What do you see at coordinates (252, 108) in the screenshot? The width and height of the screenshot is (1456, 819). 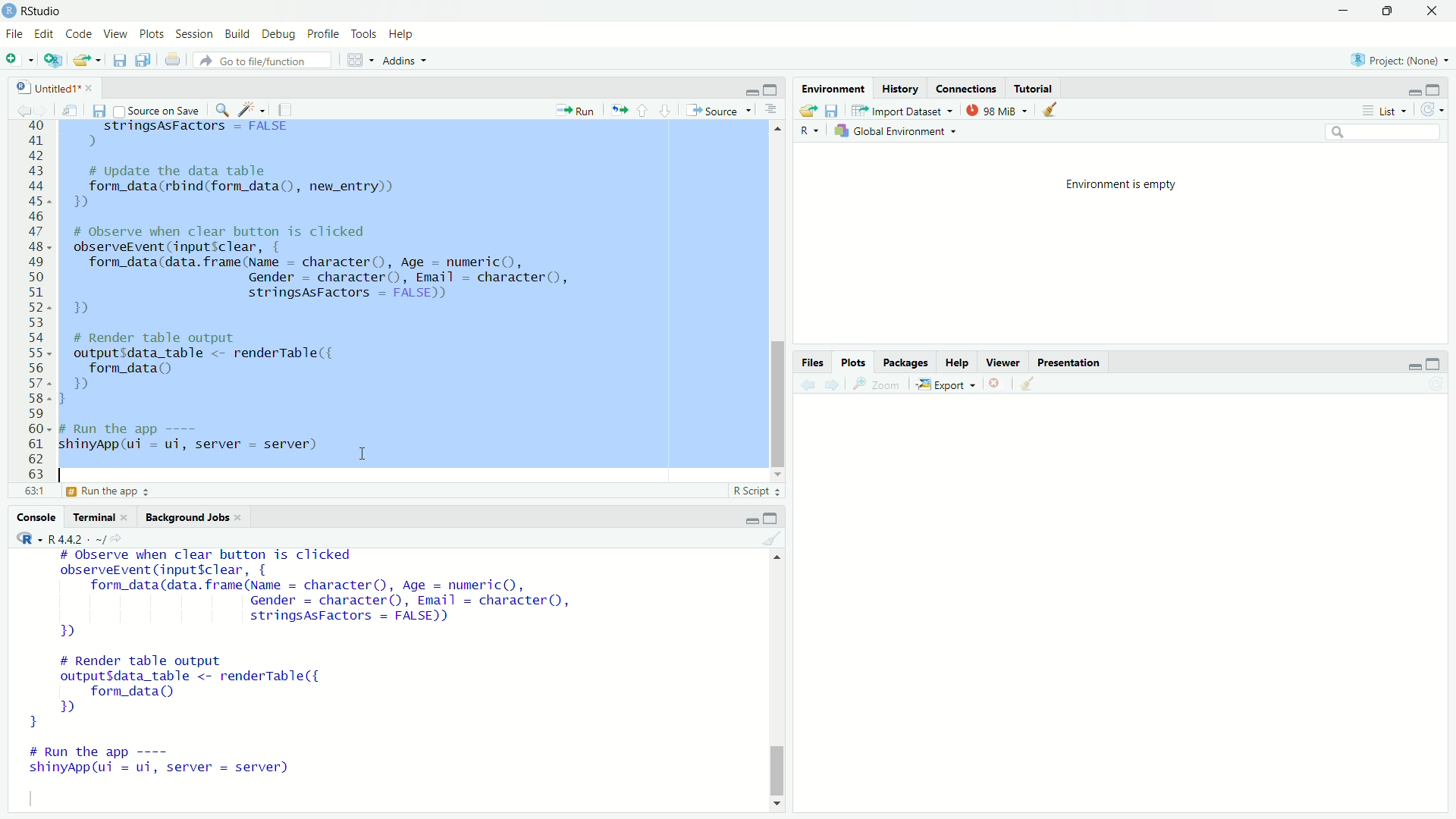 I see `code tools` at bounding box center [252, 108].